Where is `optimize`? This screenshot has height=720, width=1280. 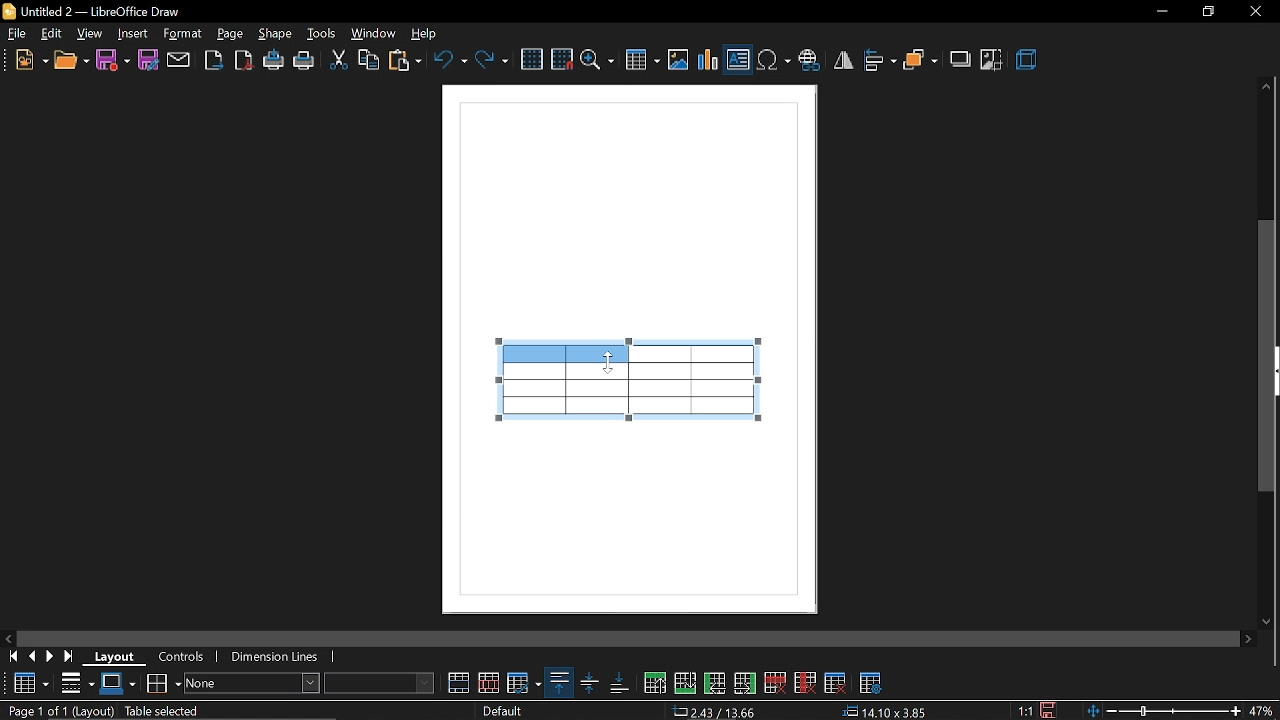
optimize is located at coordinates (524, 683).